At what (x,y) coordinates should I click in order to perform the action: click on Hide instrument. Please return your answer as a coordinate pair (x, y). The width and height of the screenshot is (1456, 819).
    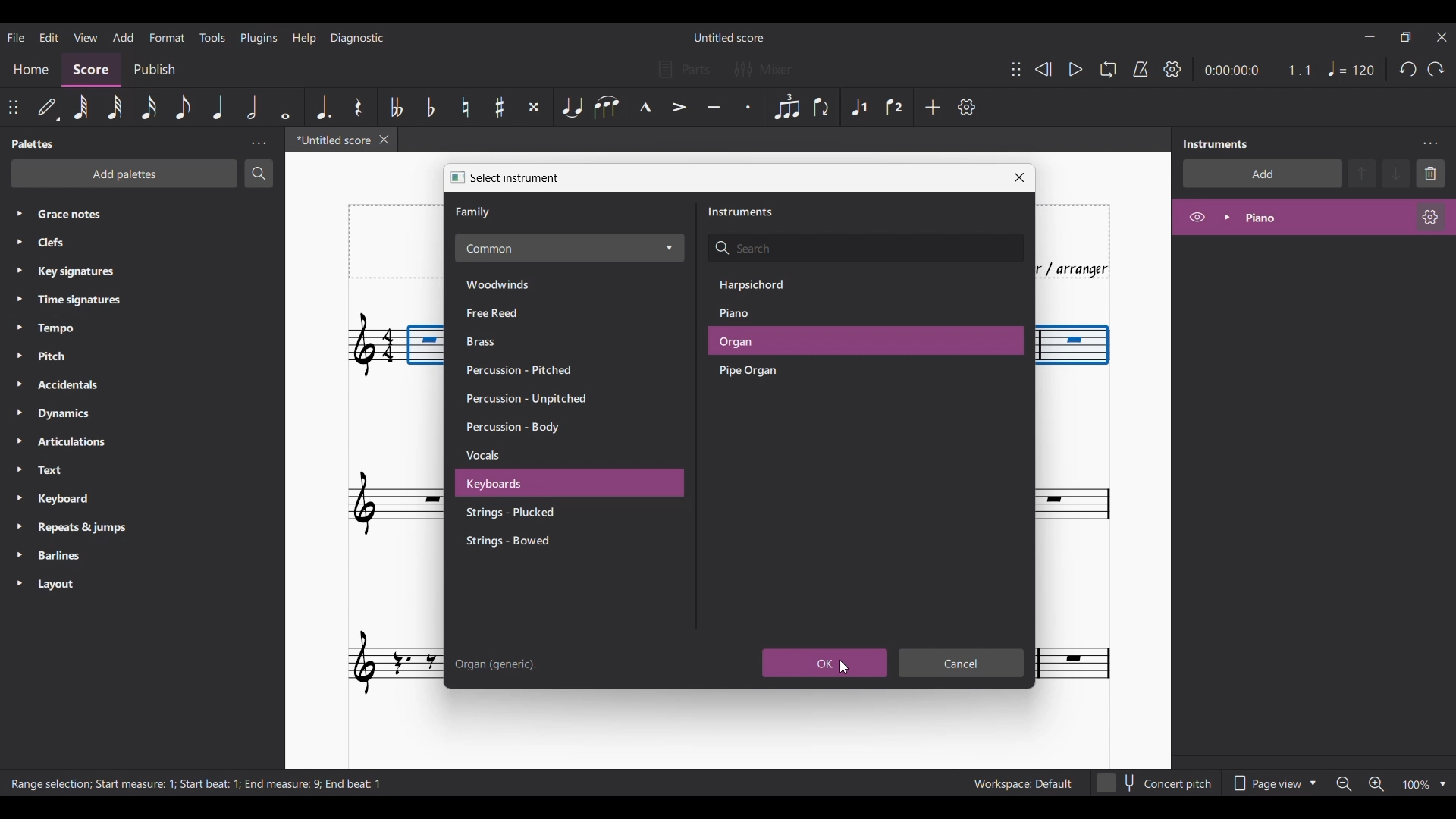
    Looking at the image, I should click on (1197, 217).